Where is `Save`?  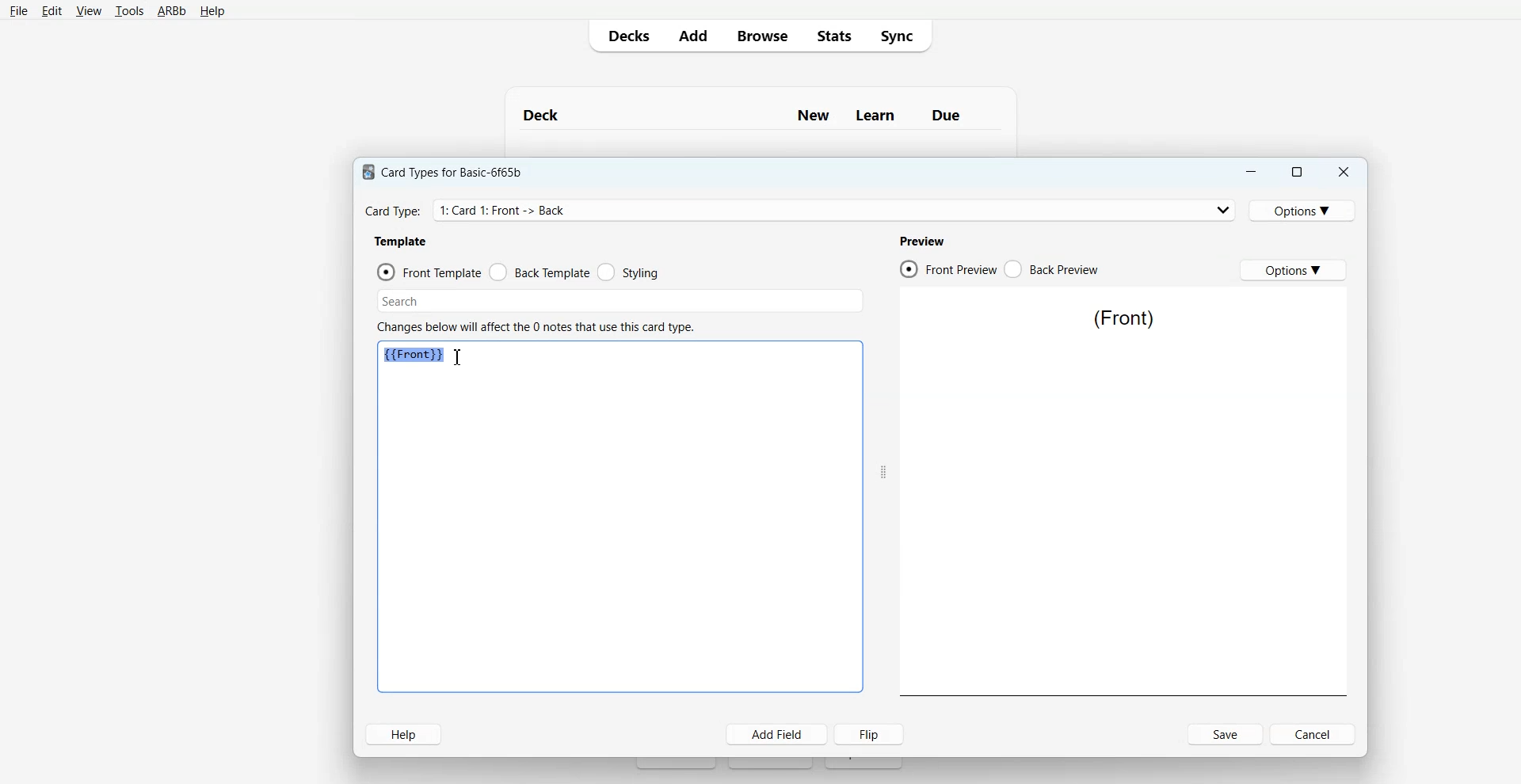
Save is located at coordinates (1225, 734).